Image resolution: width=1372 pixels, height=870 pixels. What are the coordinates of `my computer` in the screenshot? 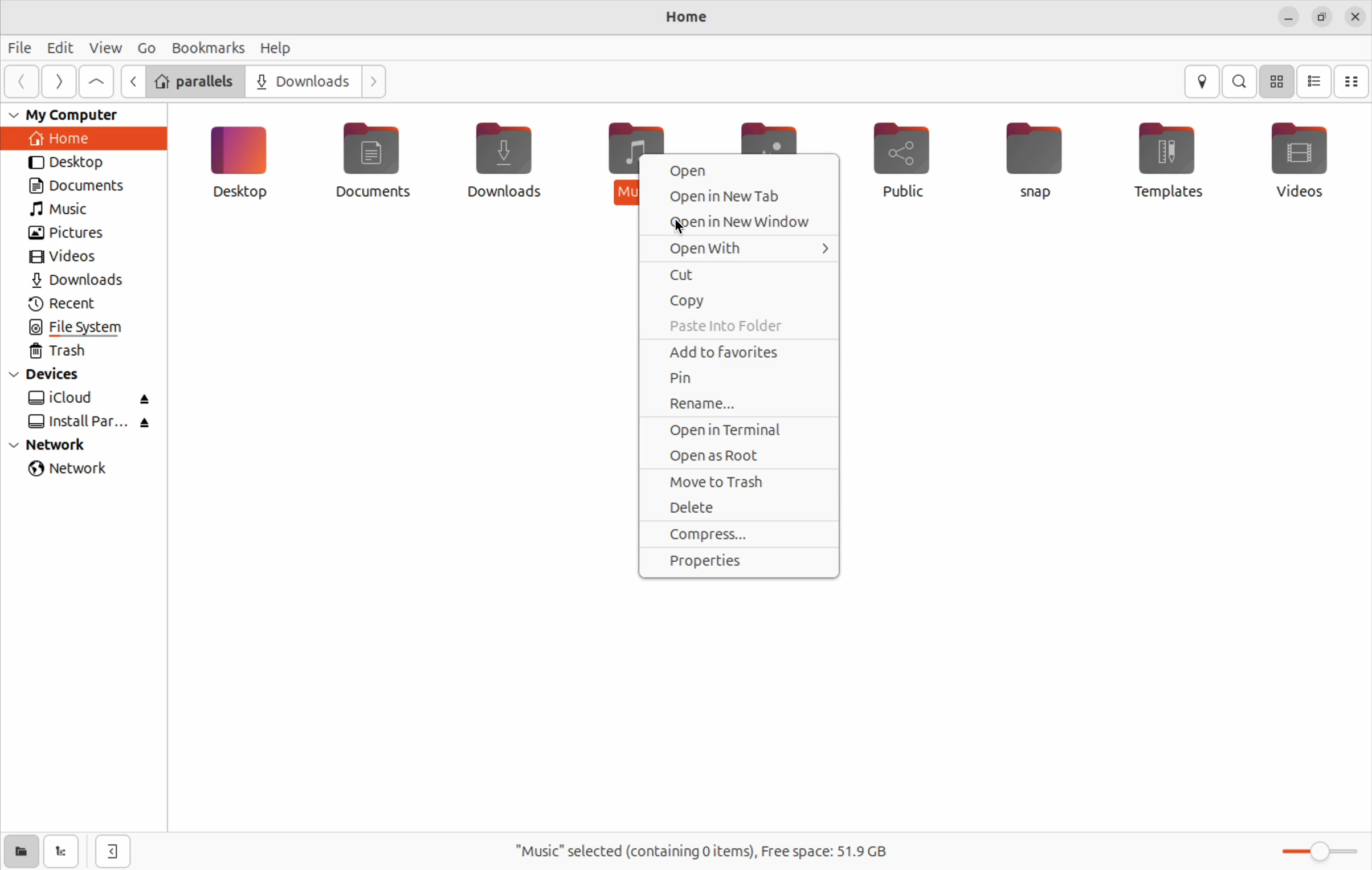 It's located at (74, 115).